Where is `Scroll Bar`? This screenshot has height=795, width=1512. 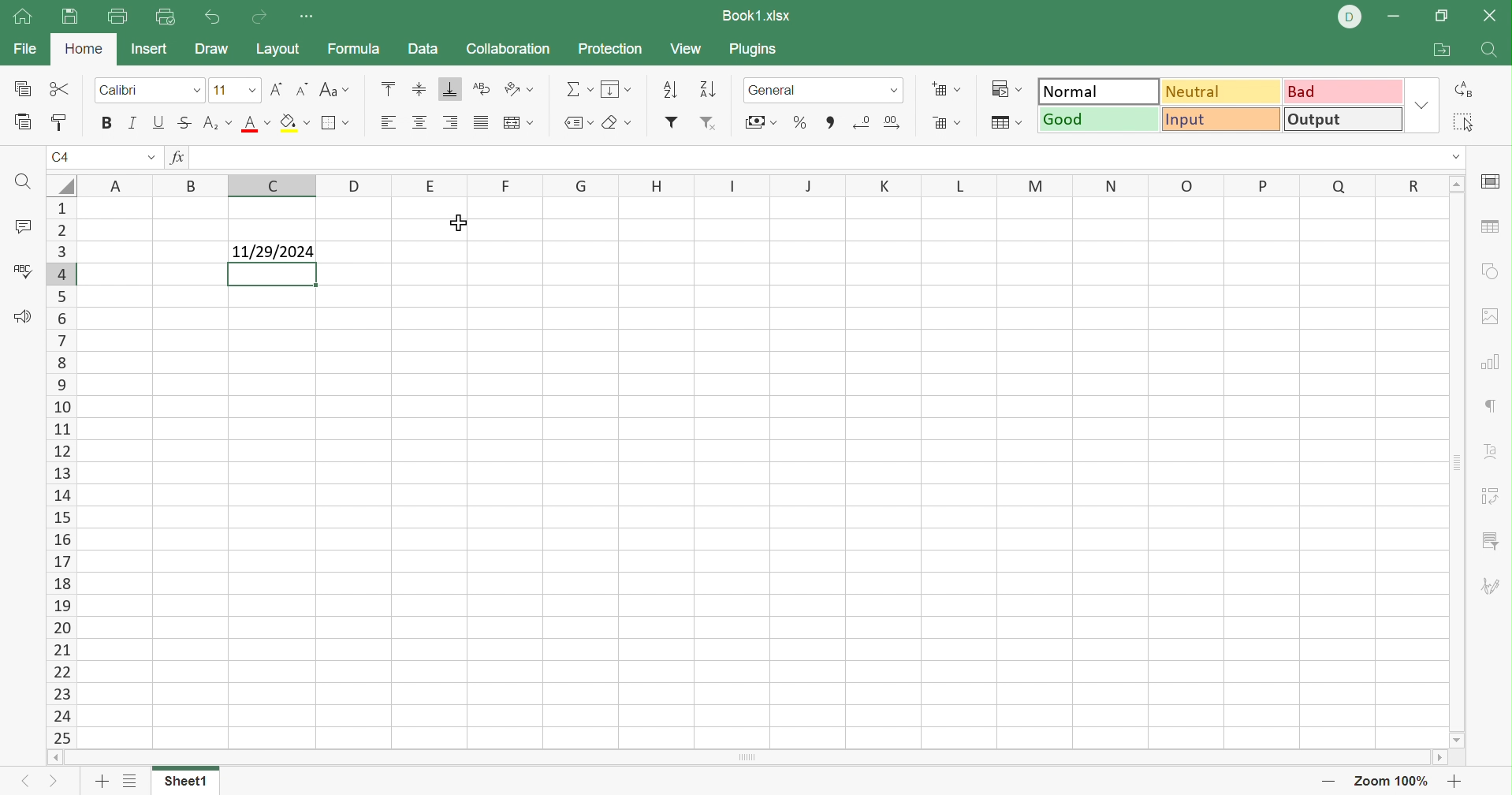
Scroll Bar is located at coordinates (749, 758).